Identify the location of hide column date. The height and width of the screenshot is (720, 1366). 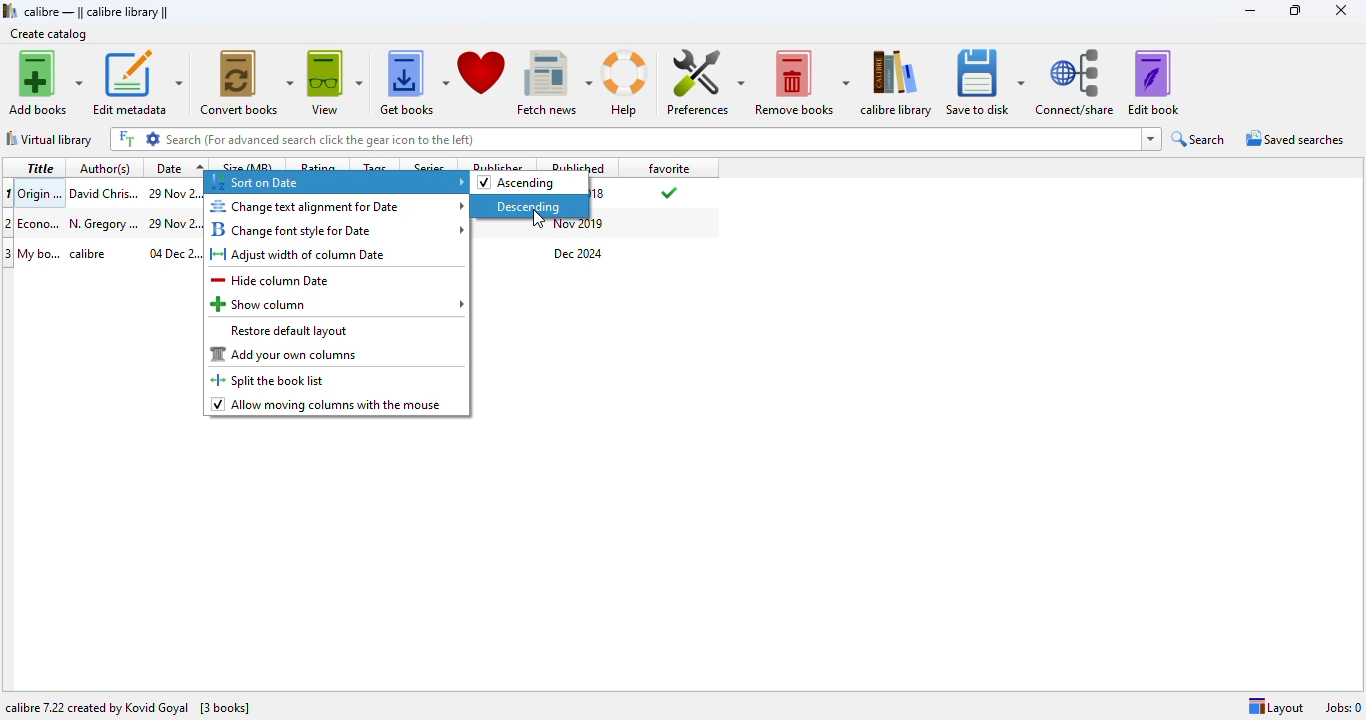
(271, 280).